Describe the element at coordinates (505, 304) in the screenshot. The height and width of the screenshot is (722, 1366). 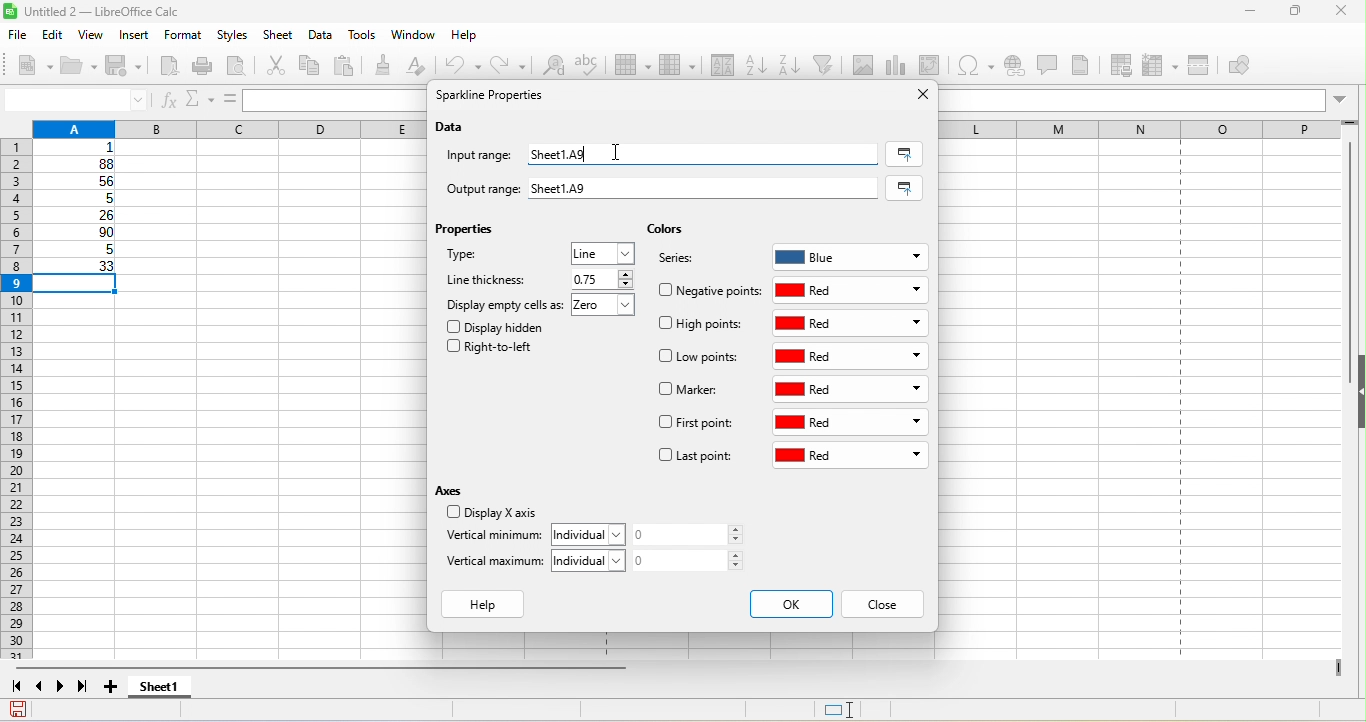
I see `display empty cells as` at that location.